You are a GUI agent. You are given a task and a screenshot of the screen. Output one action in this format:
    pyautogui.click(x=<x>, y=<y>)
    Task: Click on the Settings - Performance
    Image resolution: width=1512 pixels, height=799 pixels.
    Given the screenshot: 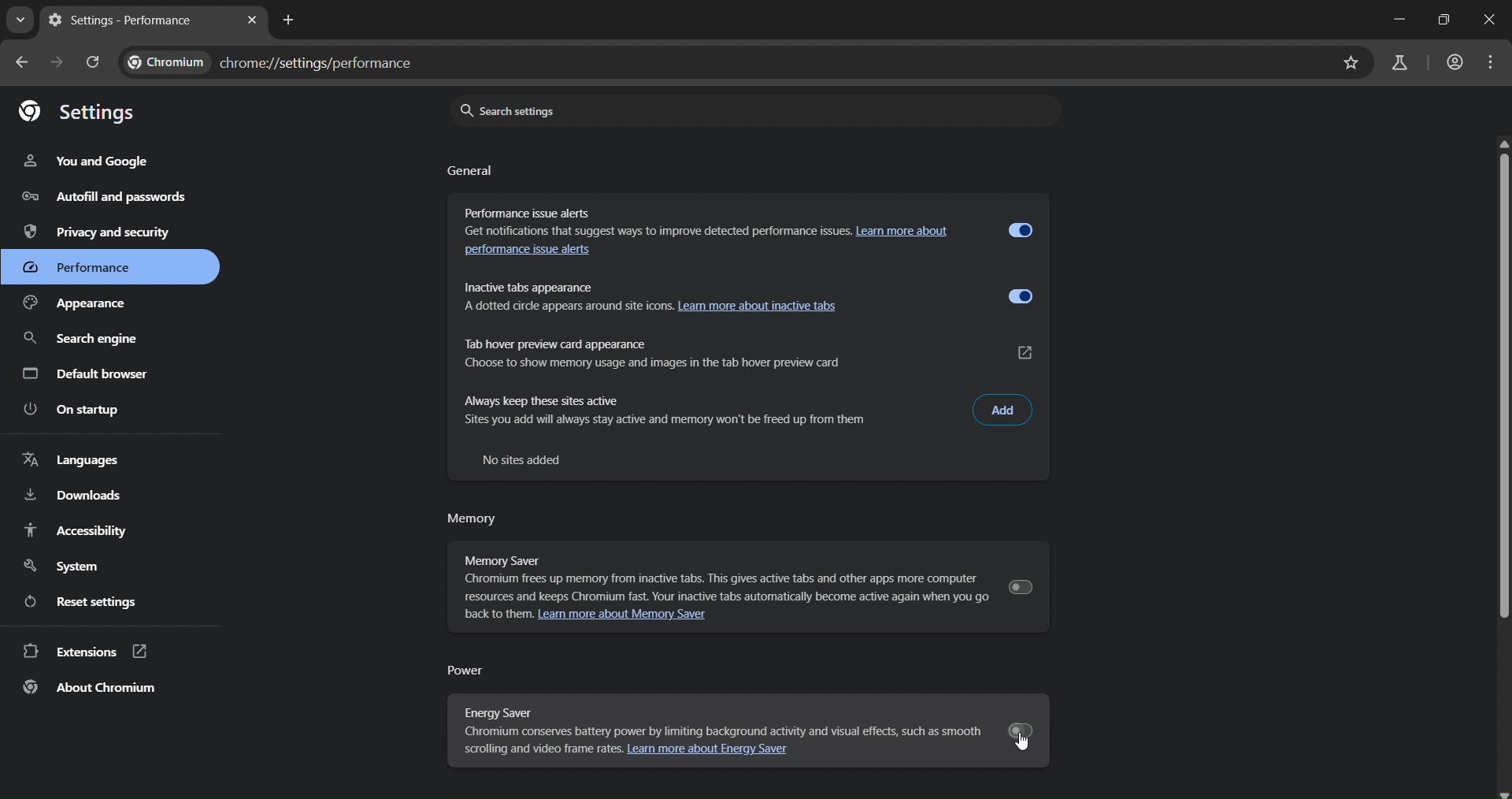 What is the action you would take?
    pyautogui.click(x=136, y=21)
    